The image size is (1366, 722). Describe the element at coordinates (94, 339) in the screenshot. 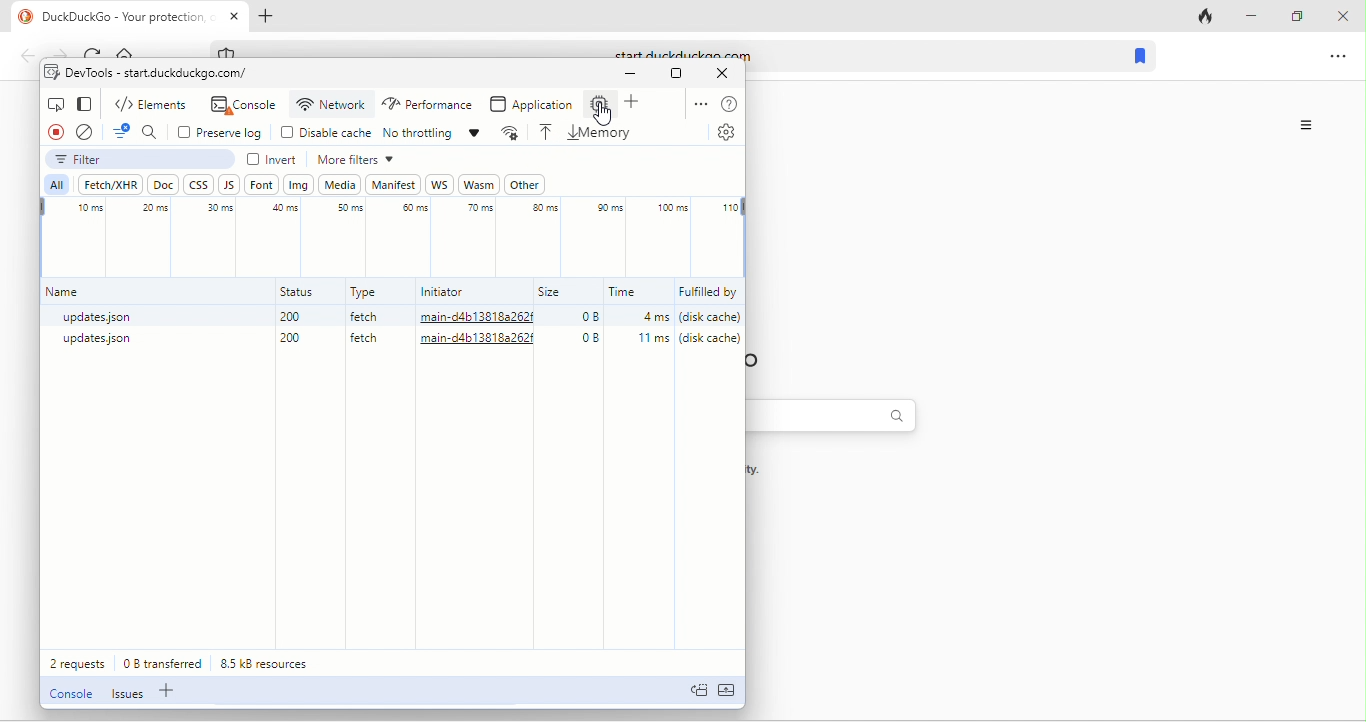

I see `updates.json` at that location.